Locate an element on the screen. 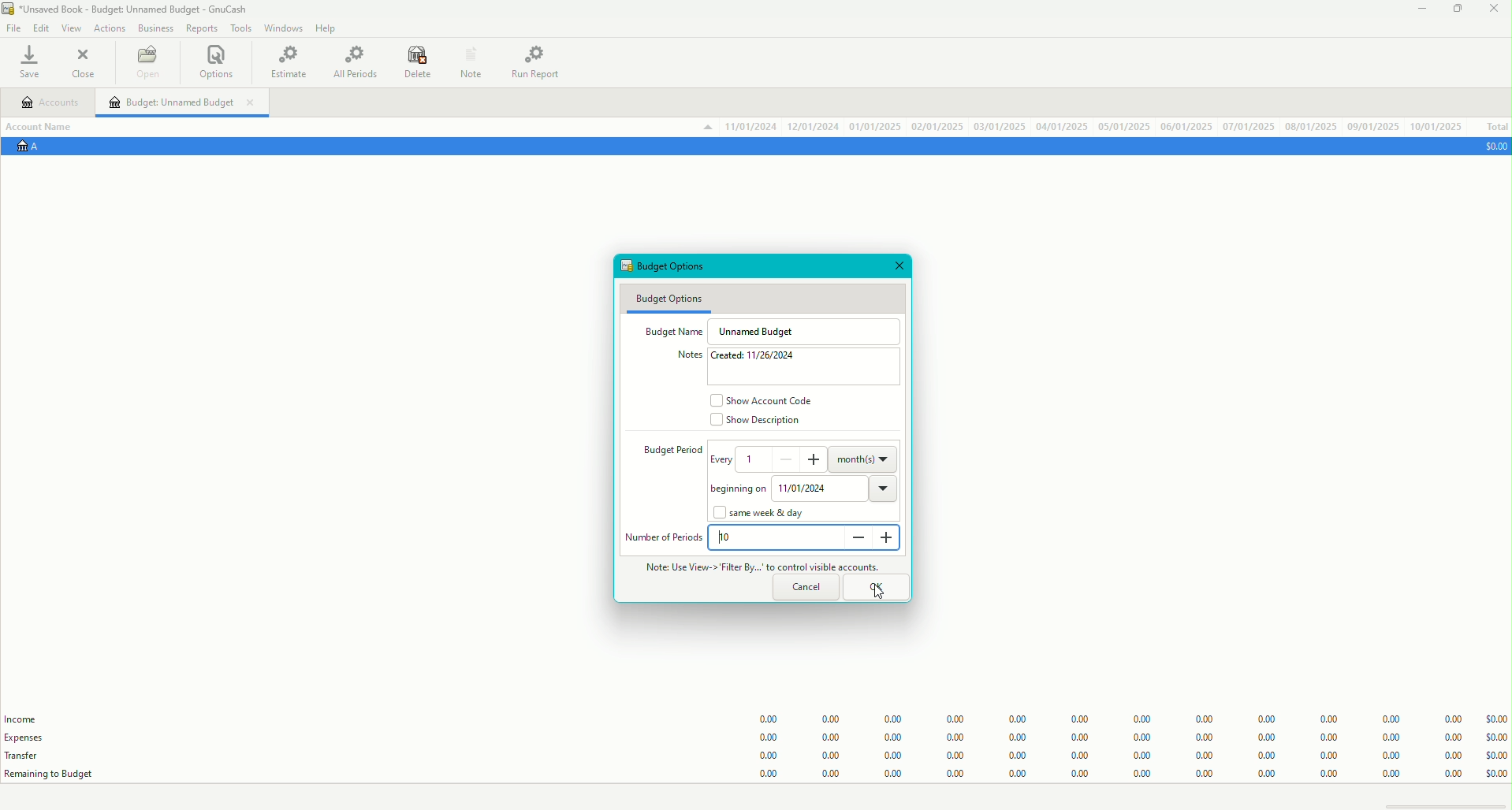 The width and height of the screenshot is (1512, 810). Run Report is located at coordinates (542, 61).